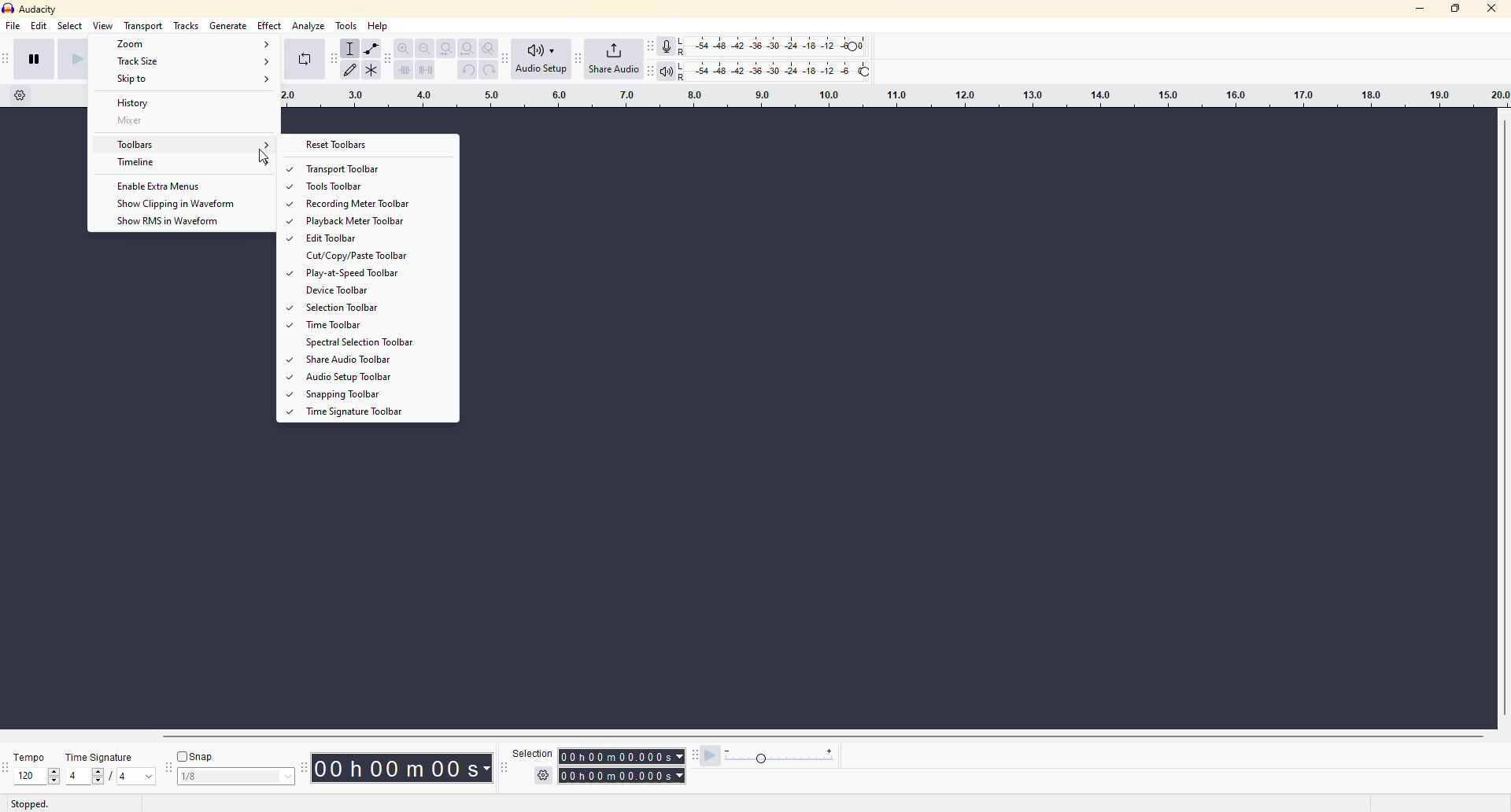 This screenshot has height=812, width=1511. I want to click on effect, so click(270, 25).